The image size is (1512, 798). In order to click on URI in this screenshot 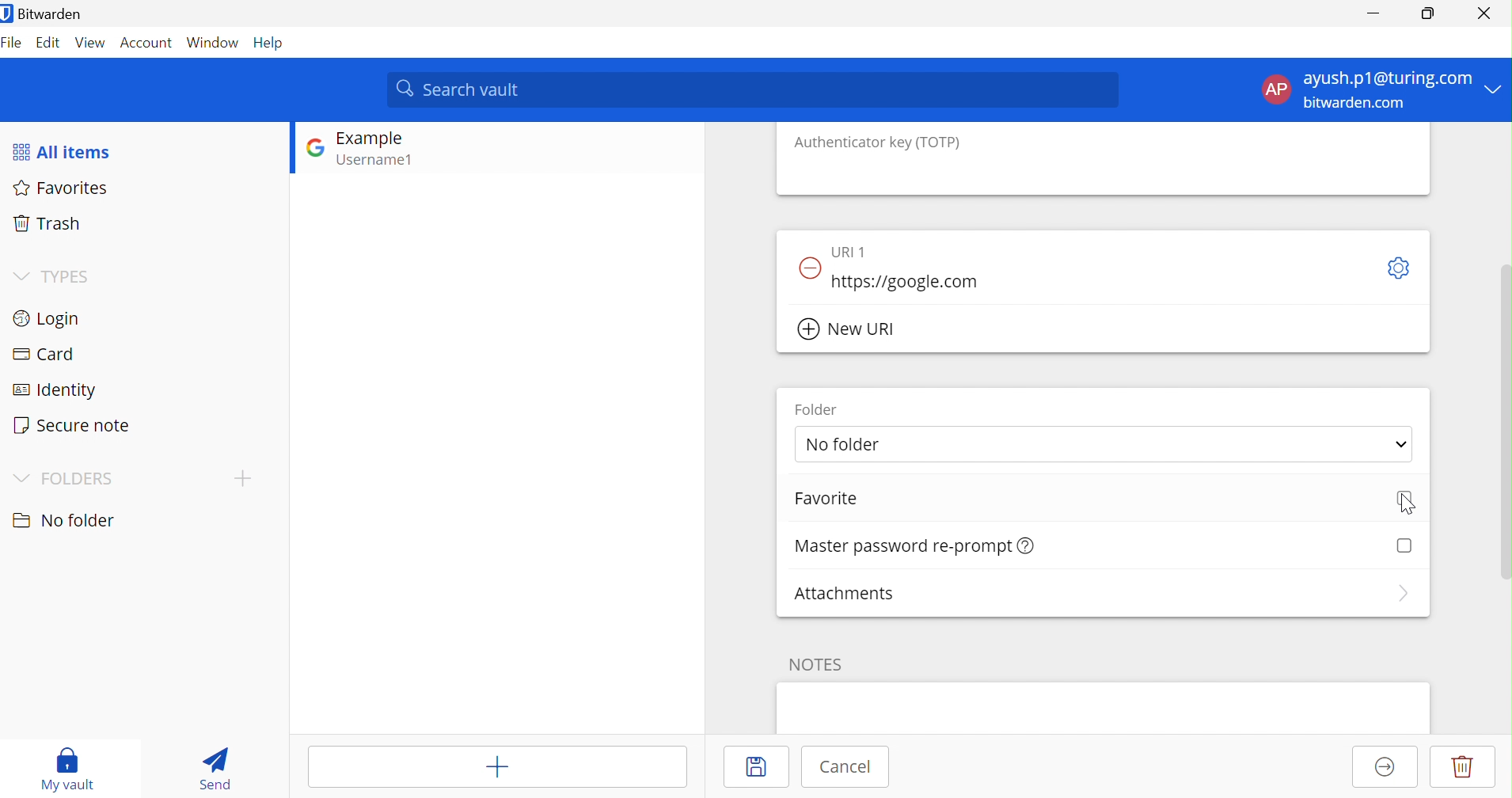, I will do `click(852, 249)`.